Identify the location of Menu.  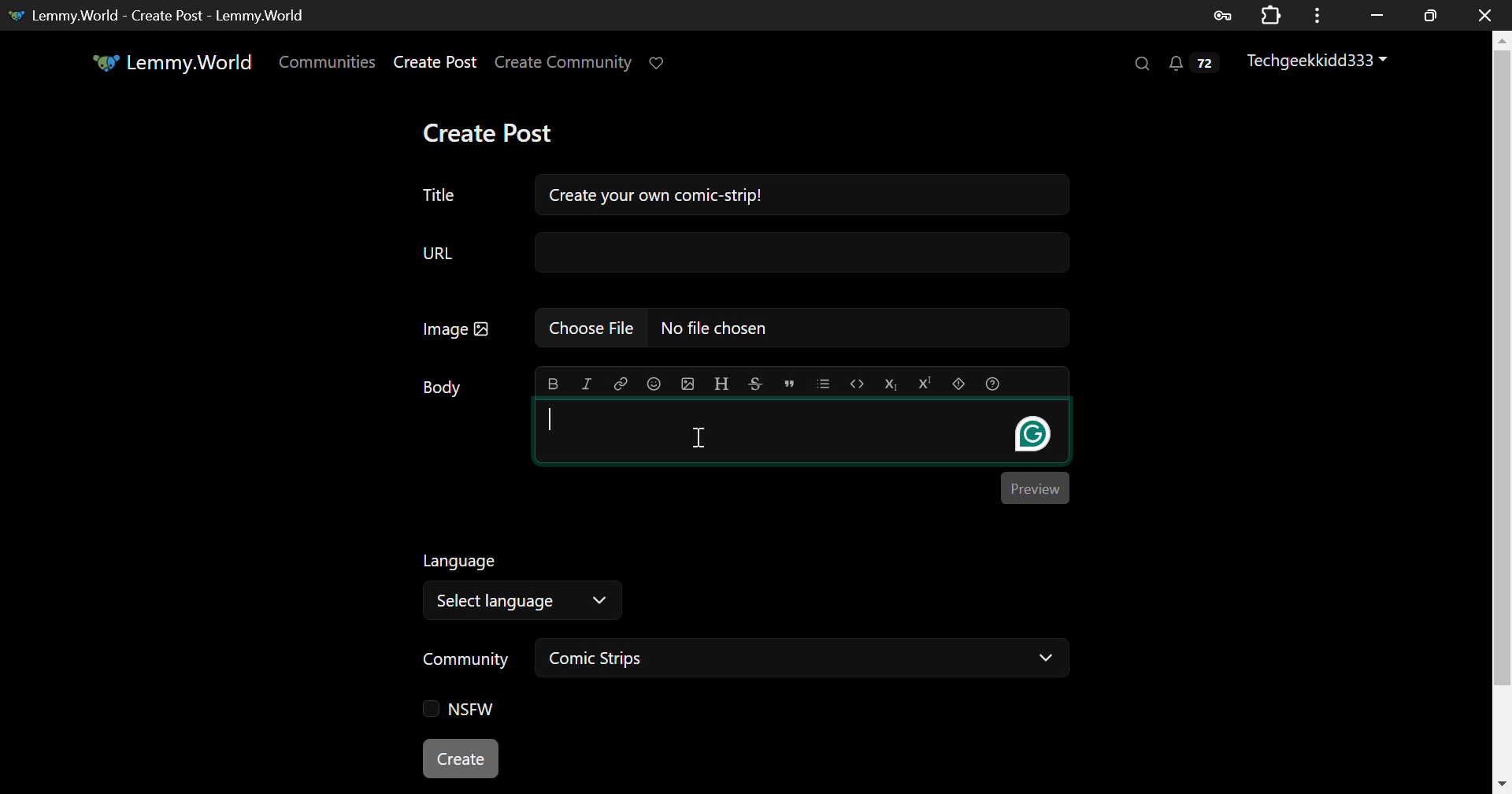
(1322, 14).